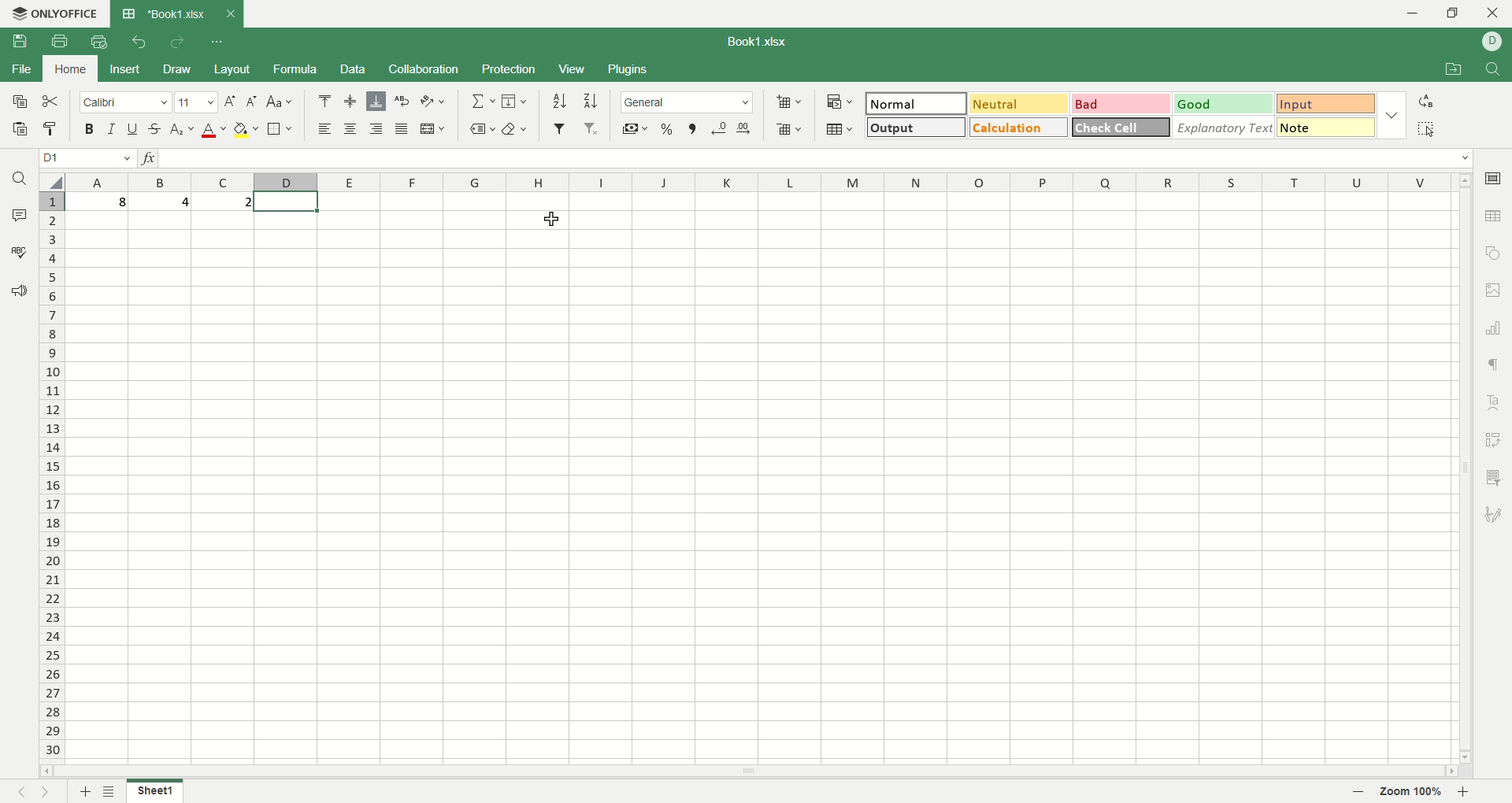 This screenshot has width=1512, height=803. What do you see at coordinates (51, 183) in the screenshot?
I see `select all` at bounding box center [51, 183].